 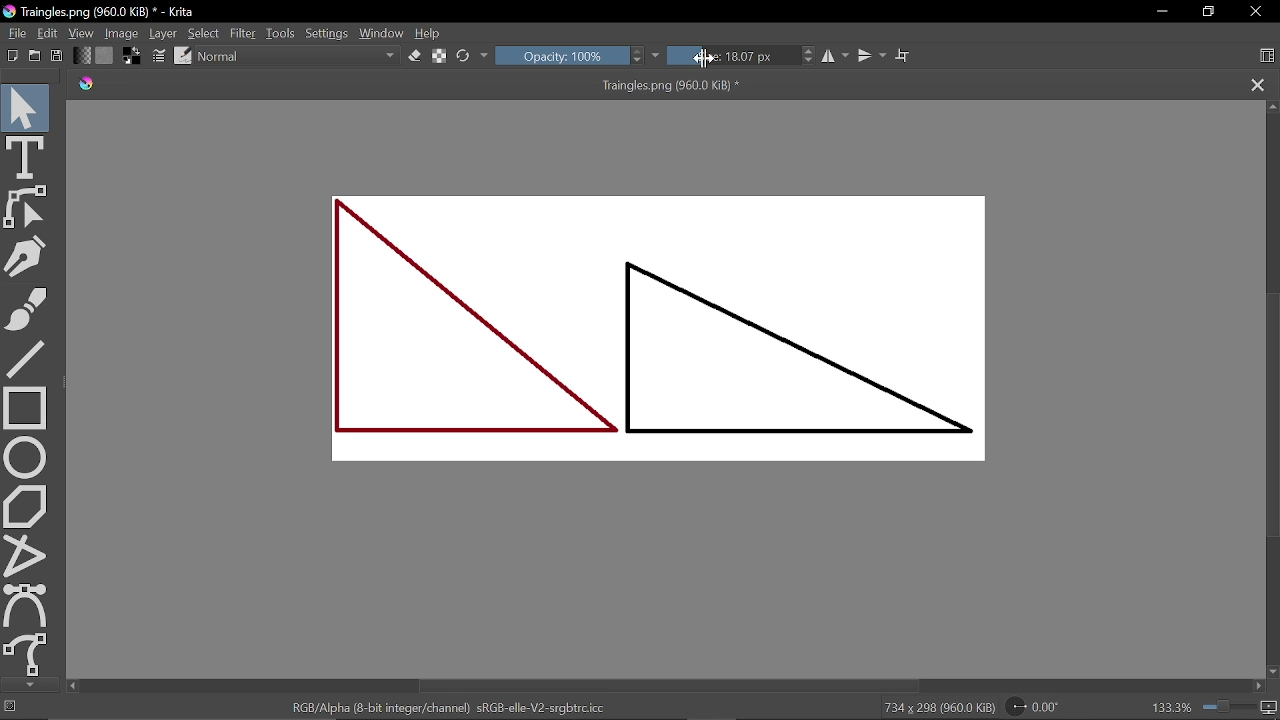 What do you see at coordinates (82, 33) in the screenshot?
I see `View` at bounding box center [82, 33].